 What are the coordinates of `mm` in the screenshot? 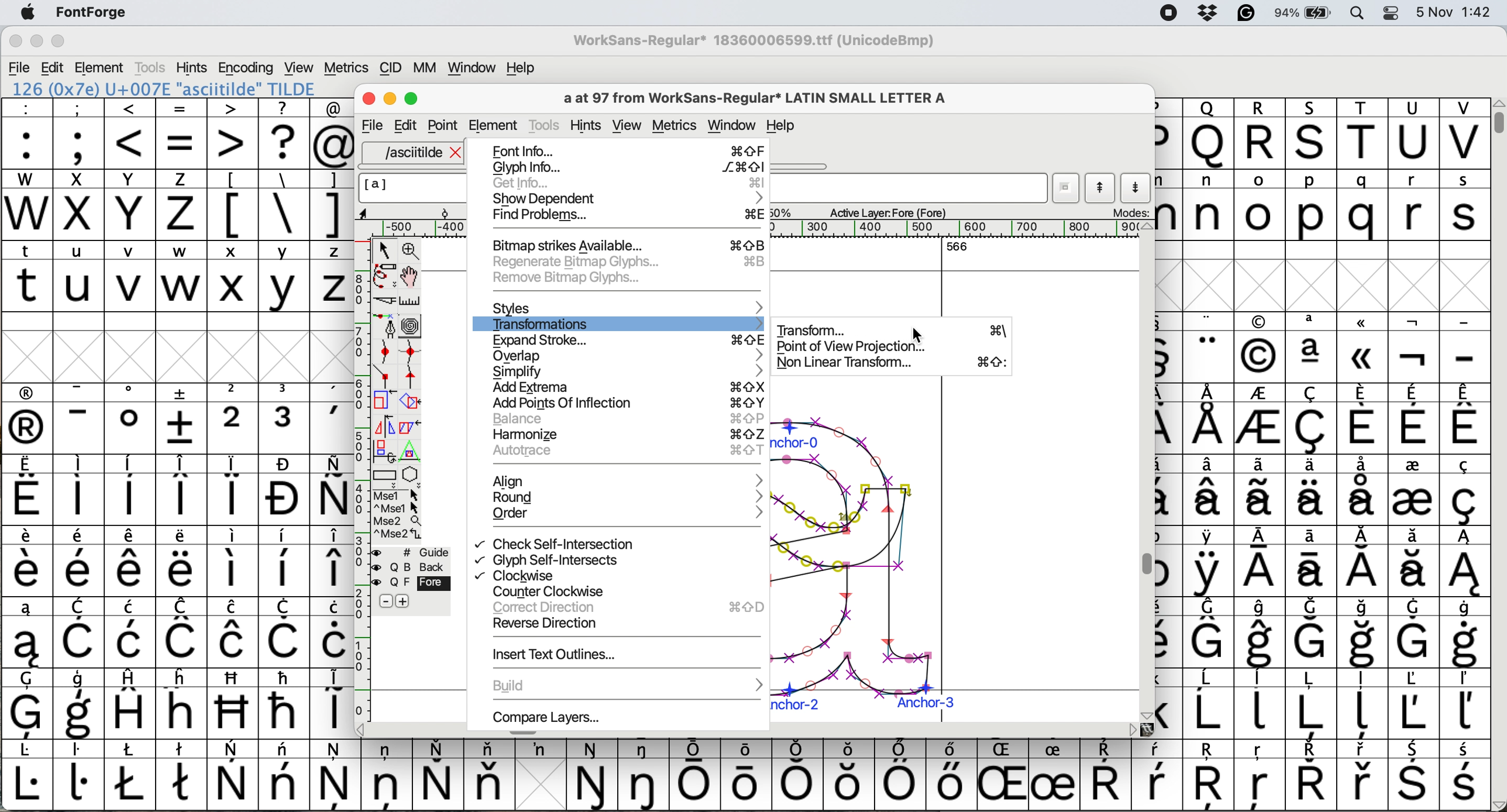 It's located at (424, 67).